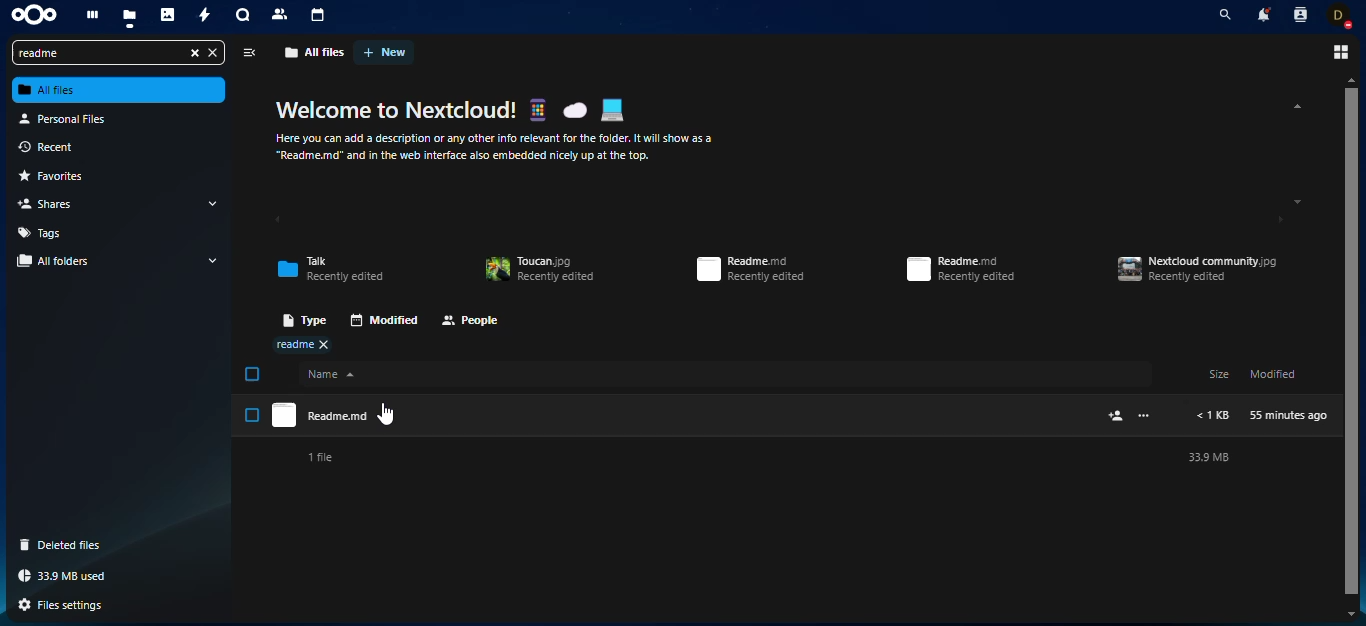  What do you see at coordinates (1298, 202) in the screenshot?
I see `scroll down` at bounding box center [1298, 202].